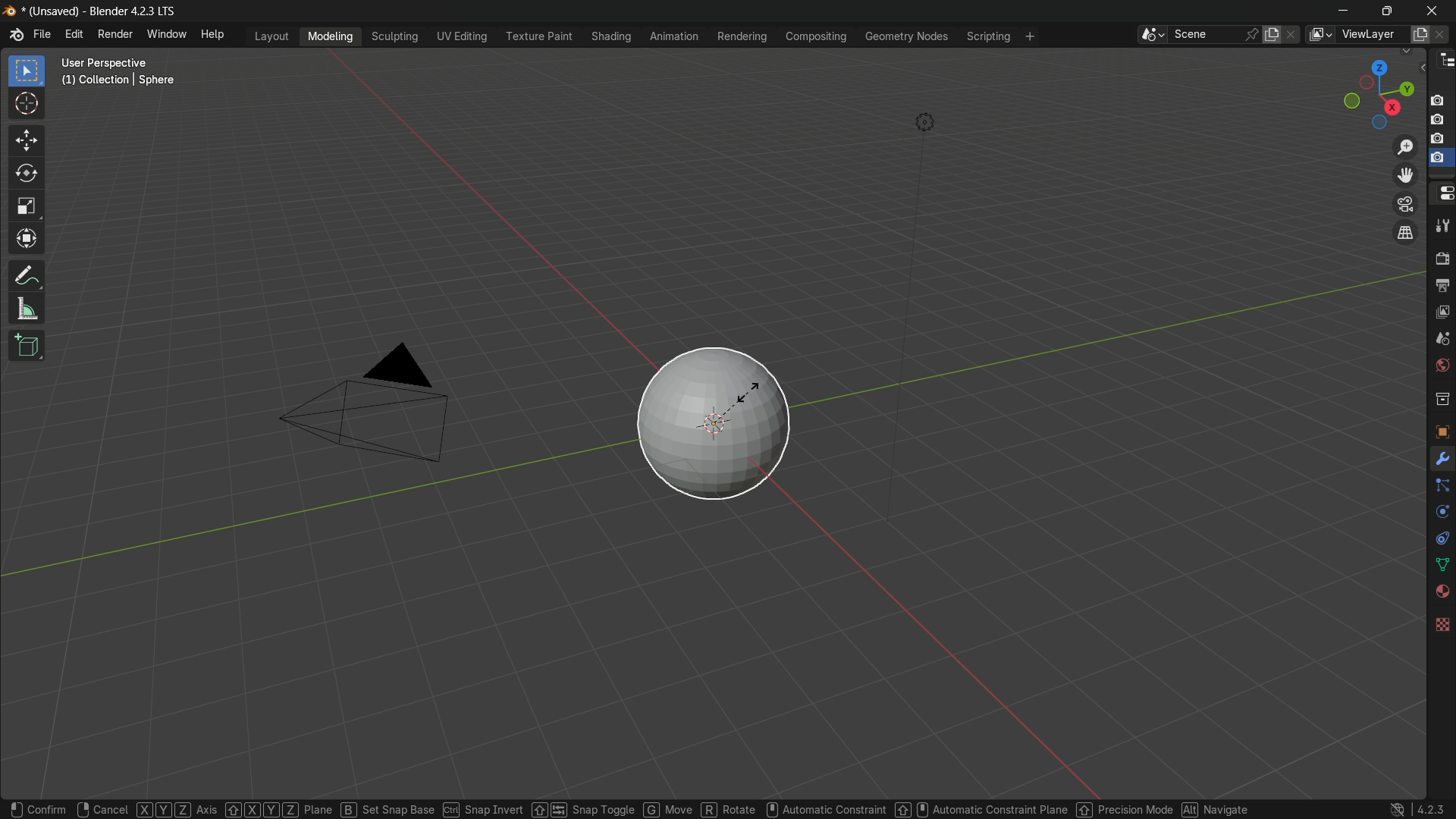 The width and height of the screenshot is (1456, 819). I want to click on measure, so click(27, 310).